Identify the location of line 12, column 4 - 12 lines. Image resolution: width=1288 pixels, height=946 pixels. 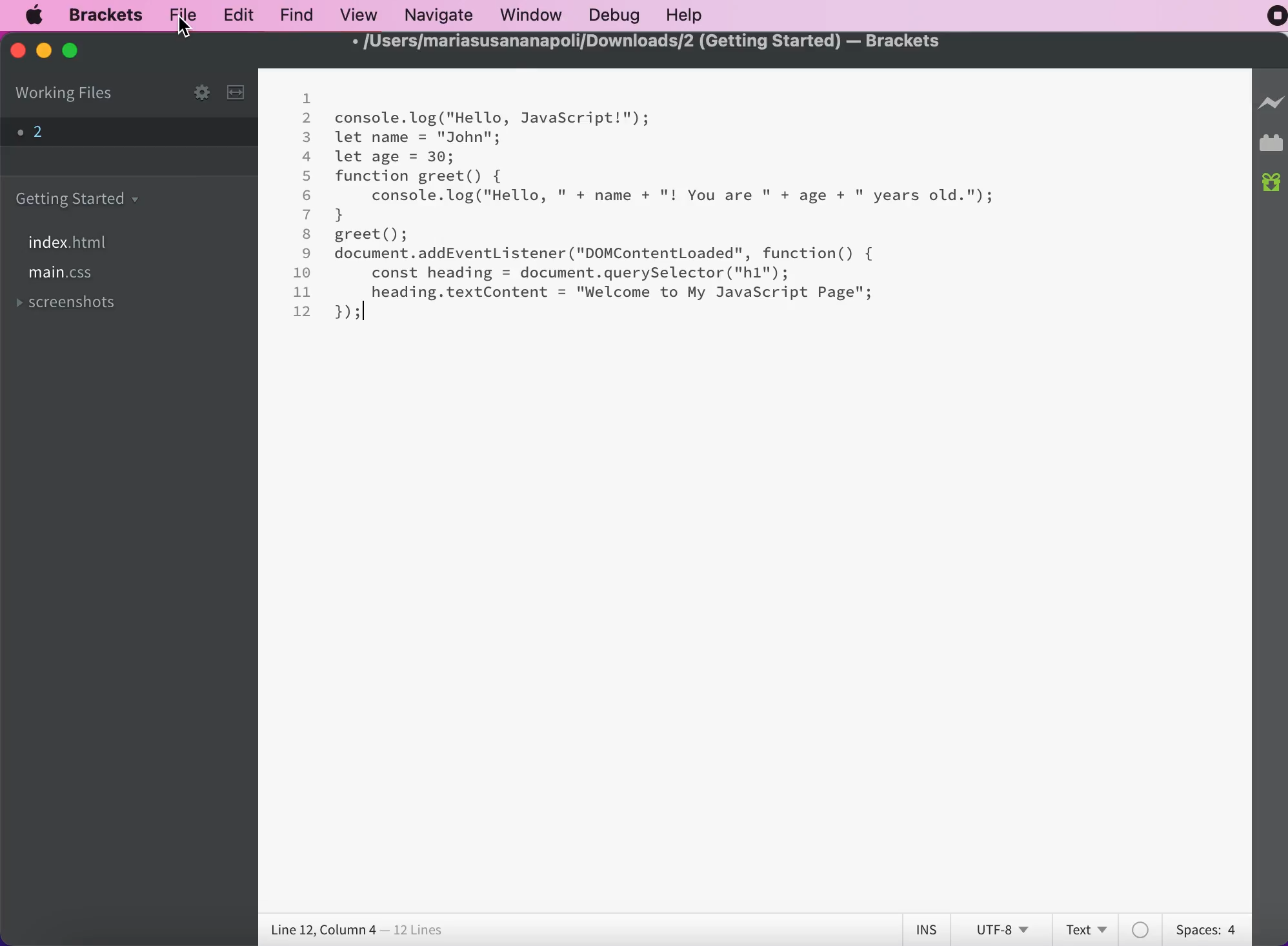
(358, 931).